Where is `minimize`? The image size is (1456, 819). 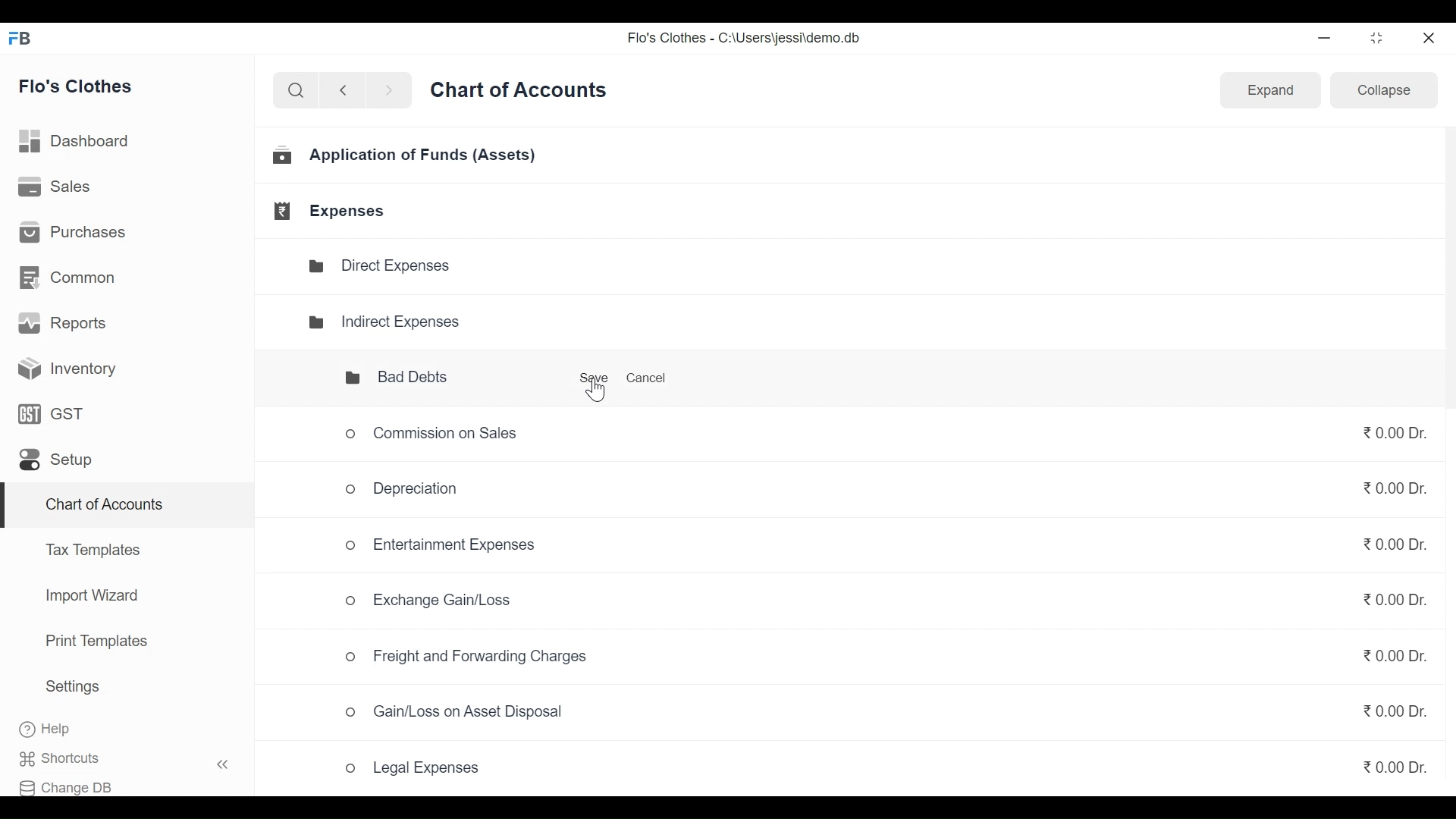 minimize is located at coordinates (1327, 38).